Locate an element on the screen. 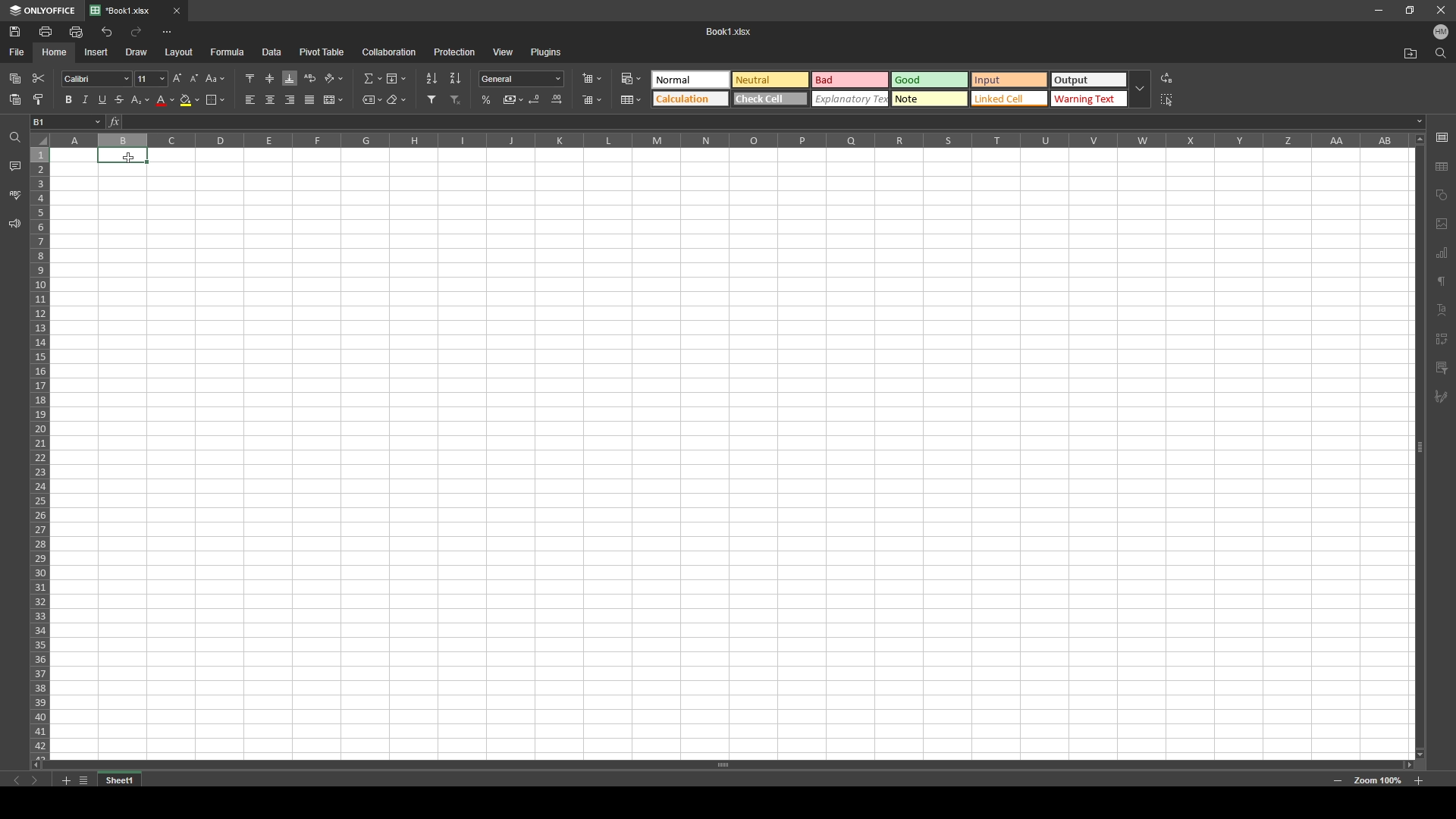  align top is located at coordinates (249, 77).